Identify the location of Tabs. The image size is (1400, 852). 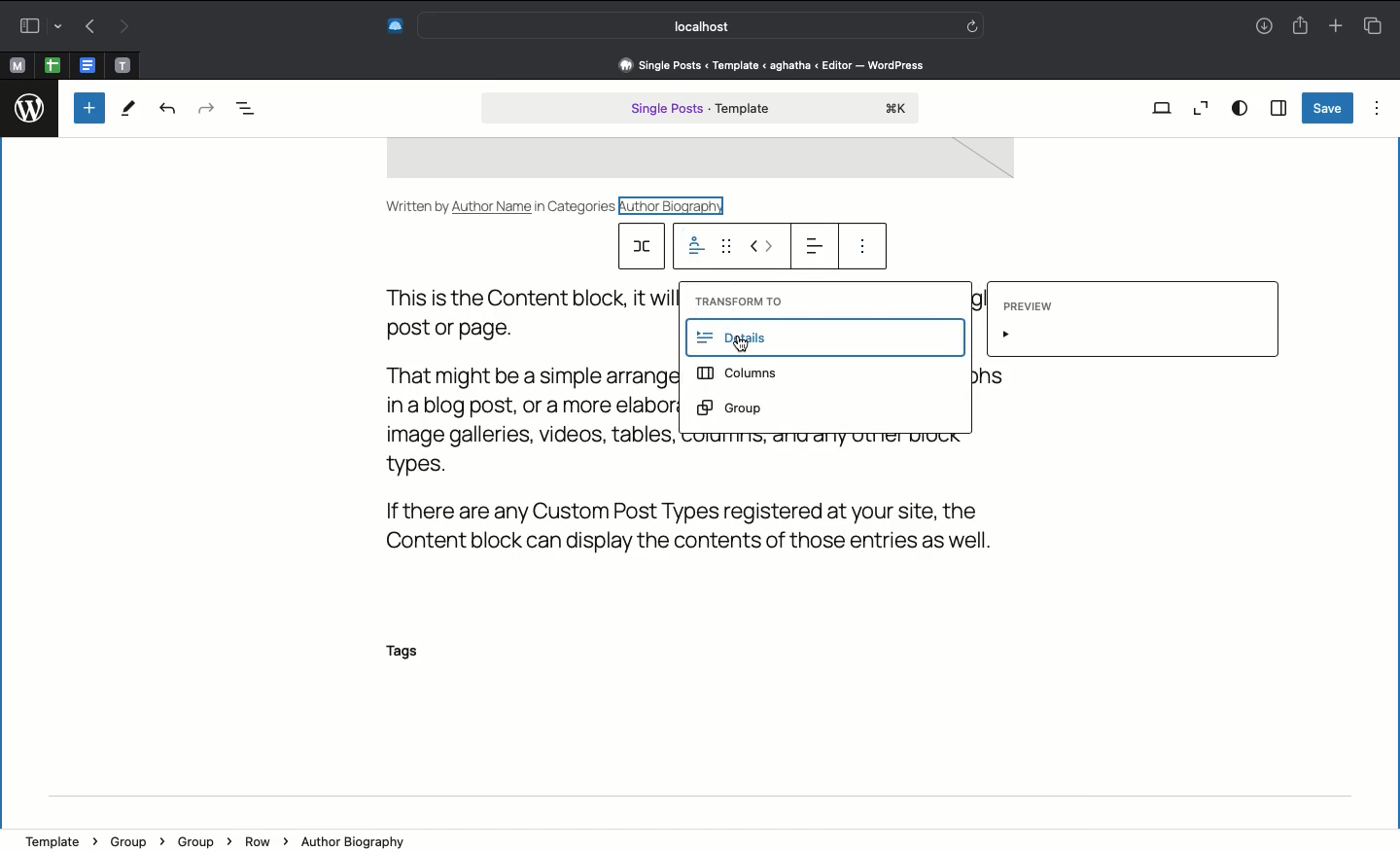
(1372, 25).